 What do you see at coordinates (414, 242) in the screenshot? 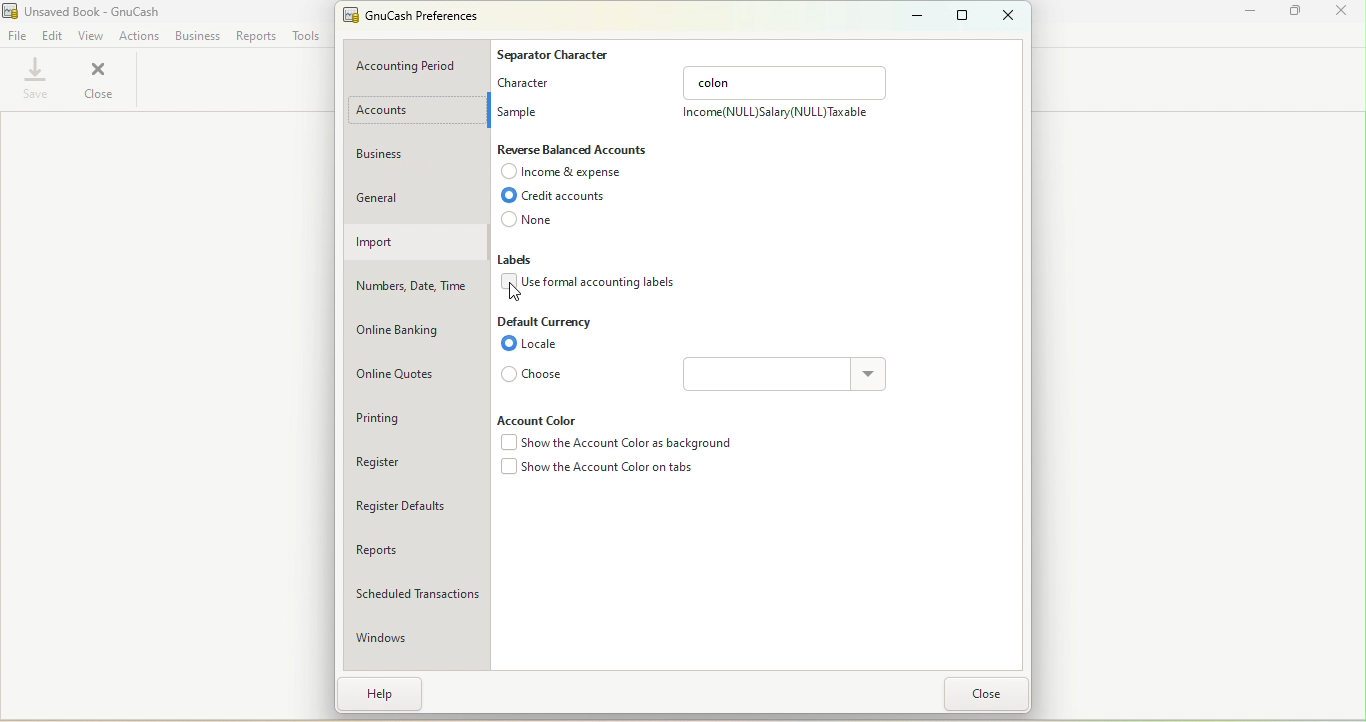
I see `Import` at bounding box center [414, 242].